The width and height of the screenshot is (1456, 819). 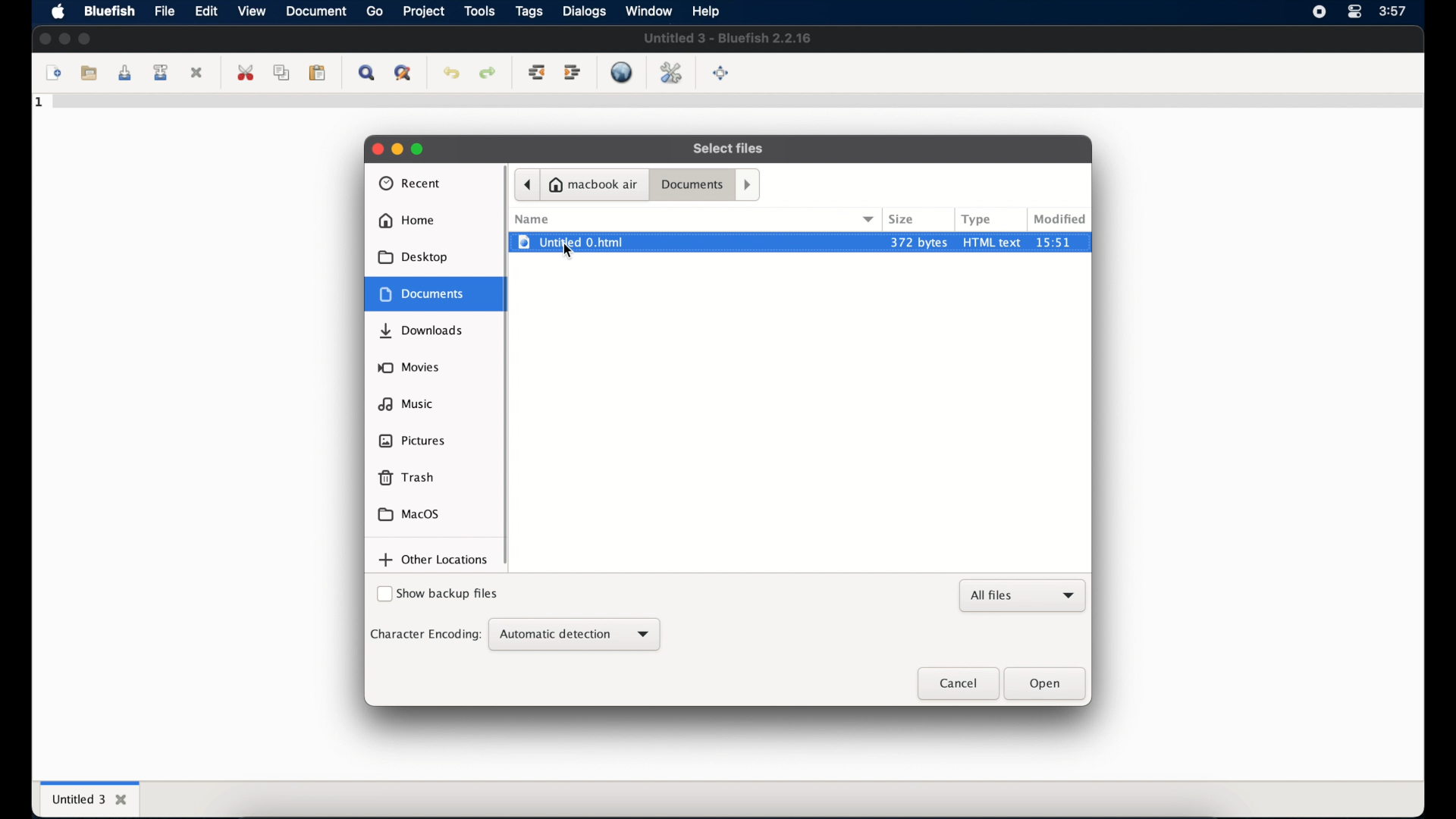 I want to click on show find bar, so click(x=366, y=74).